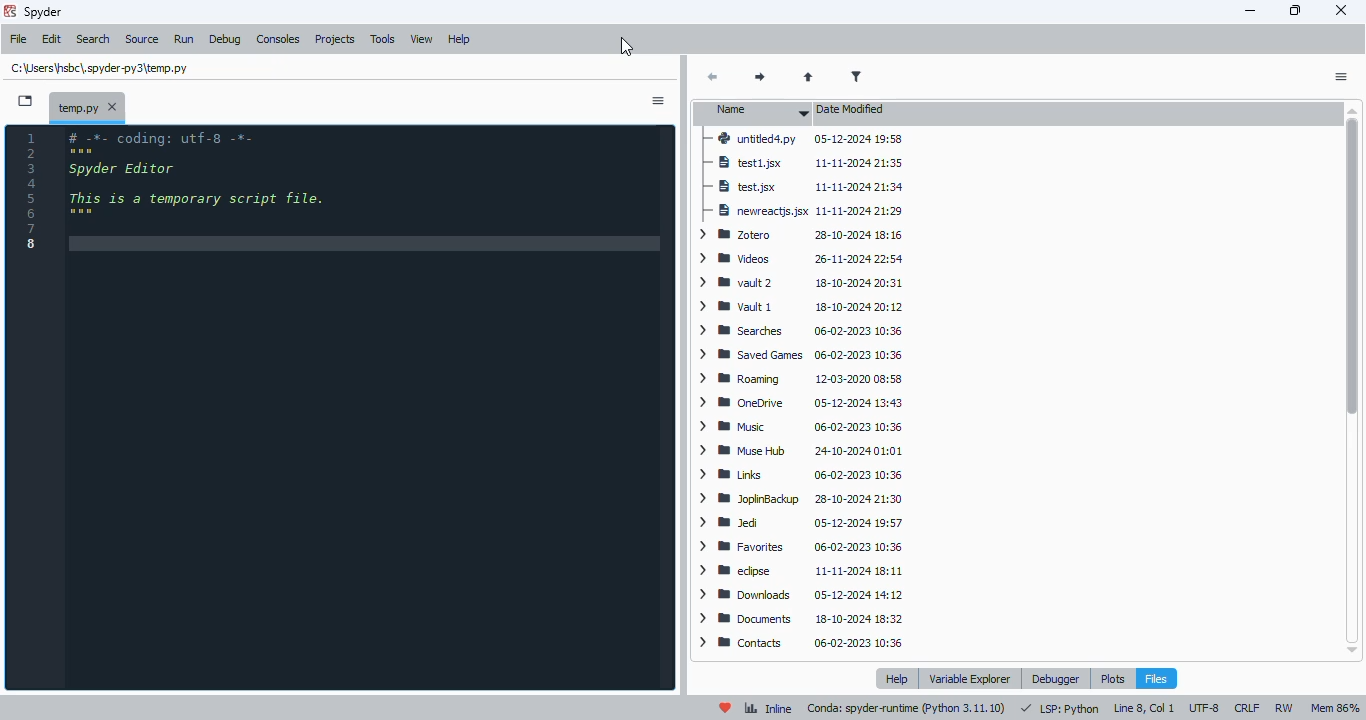 This screenshot has height=720, width=1366. I want to click on test1.jsx, so click(805, 163).